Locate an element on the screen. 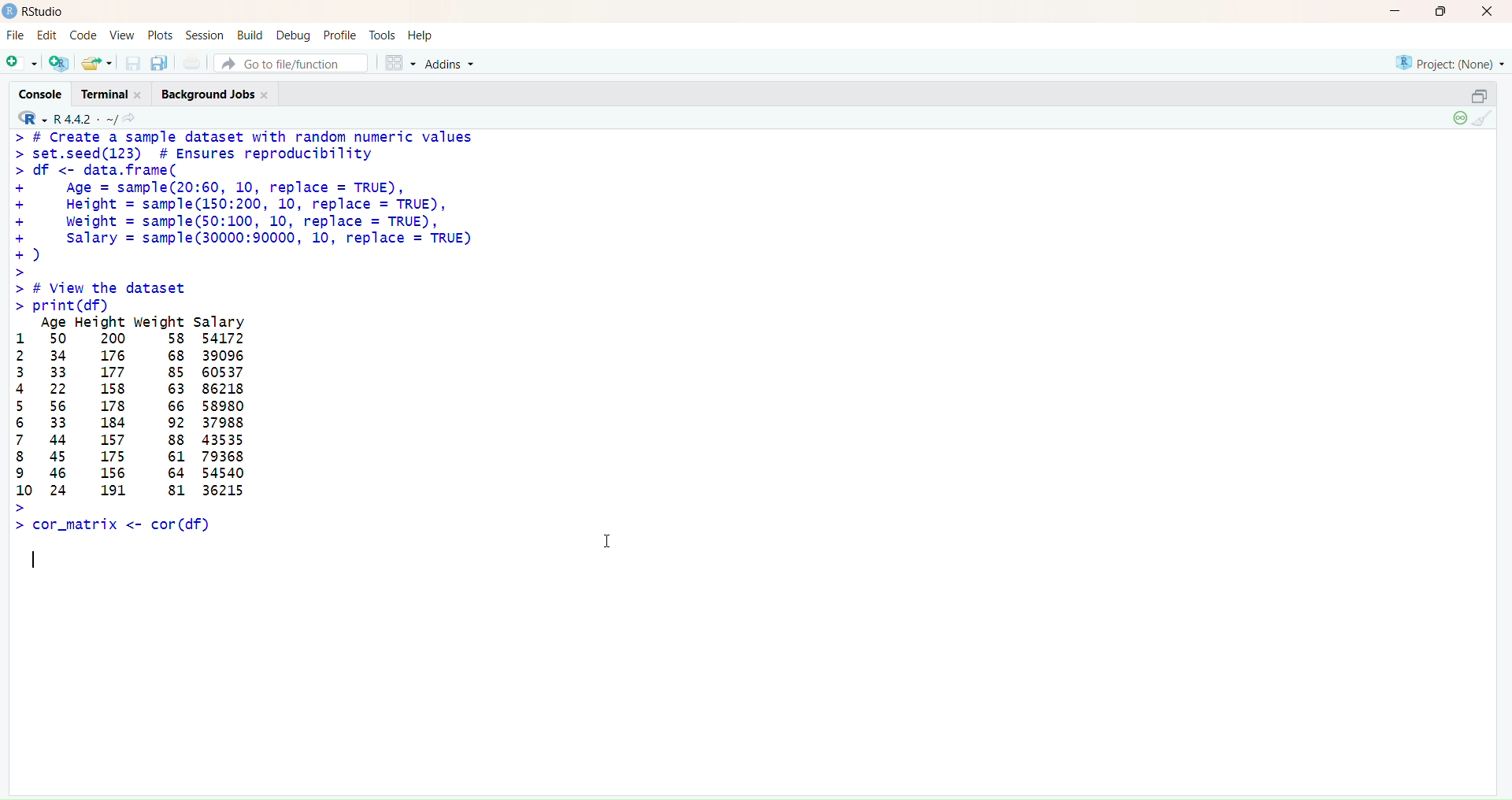 This screenshot has width=1512, height=800. RStudio is located at coordinates (36, 12).